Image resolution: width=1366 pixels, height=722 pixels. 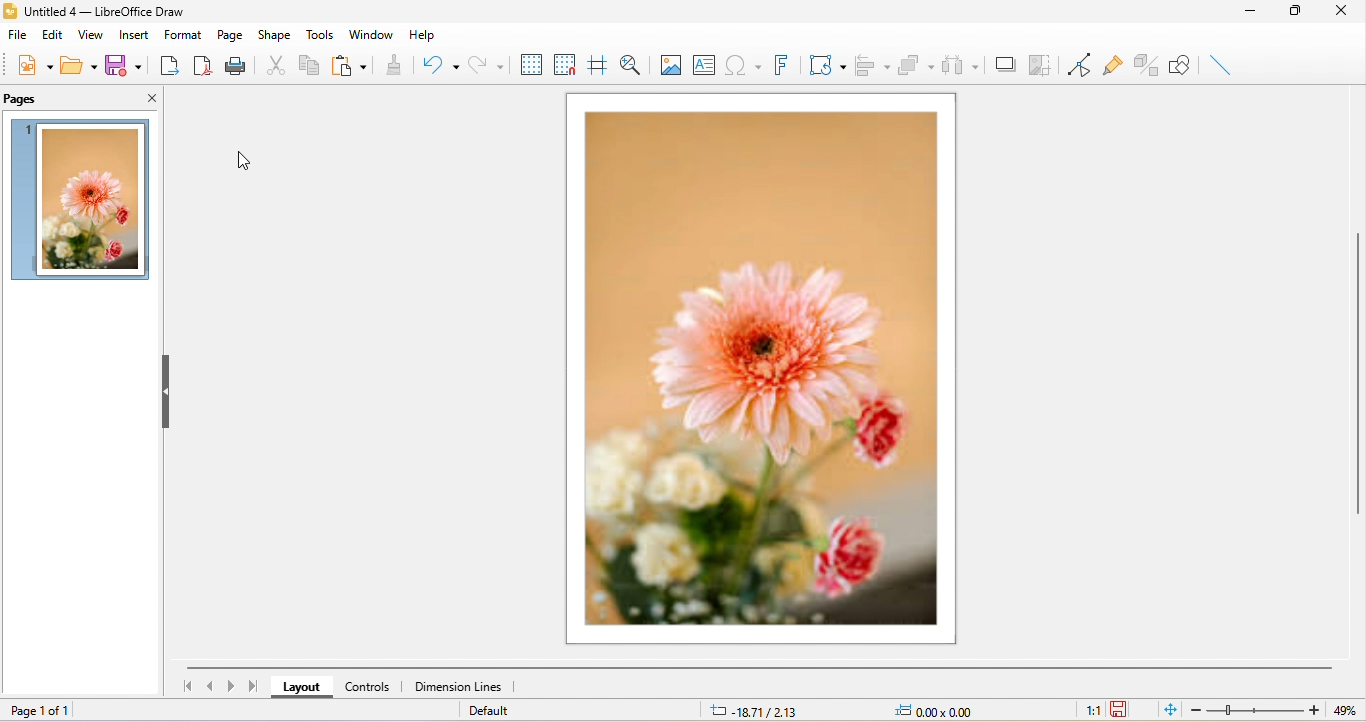 I want to click on -17.04/-1.54, so click(x=762, y=709).